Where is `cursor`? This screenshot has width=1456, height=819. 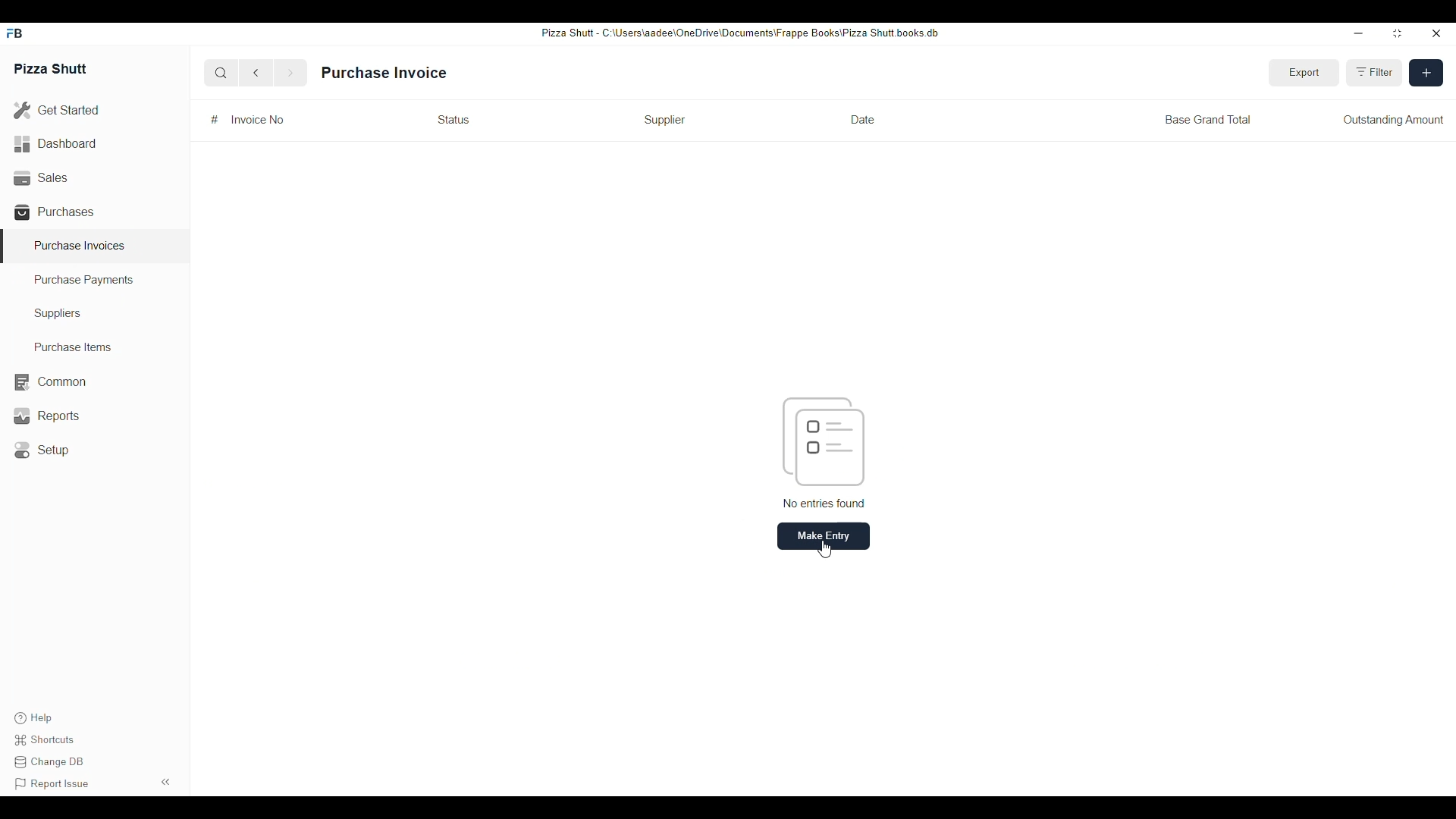 cursor is located at coordinates (827, 551).